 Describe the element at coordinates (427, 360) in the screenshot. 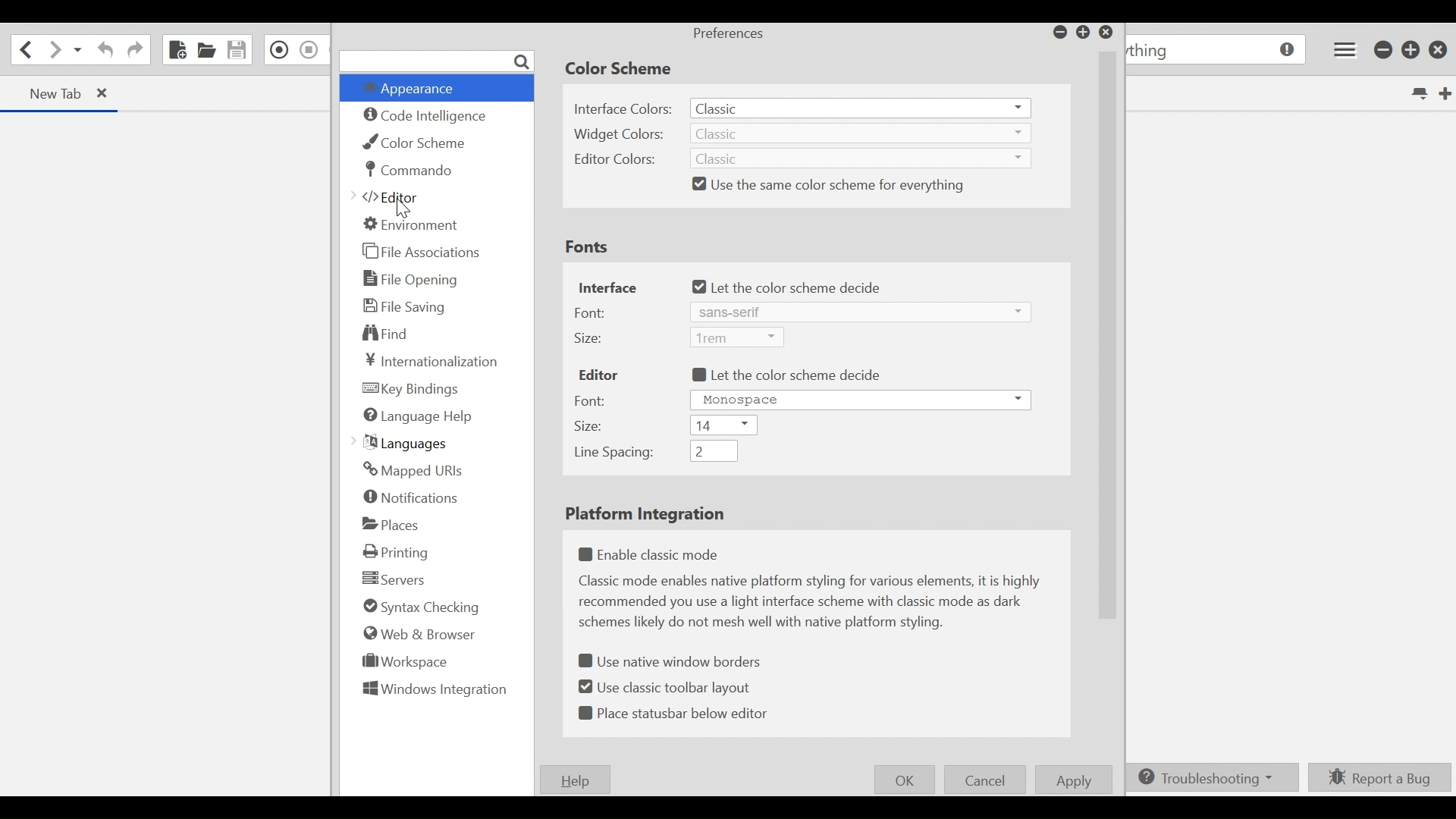

I see `Internationalization` at that location.